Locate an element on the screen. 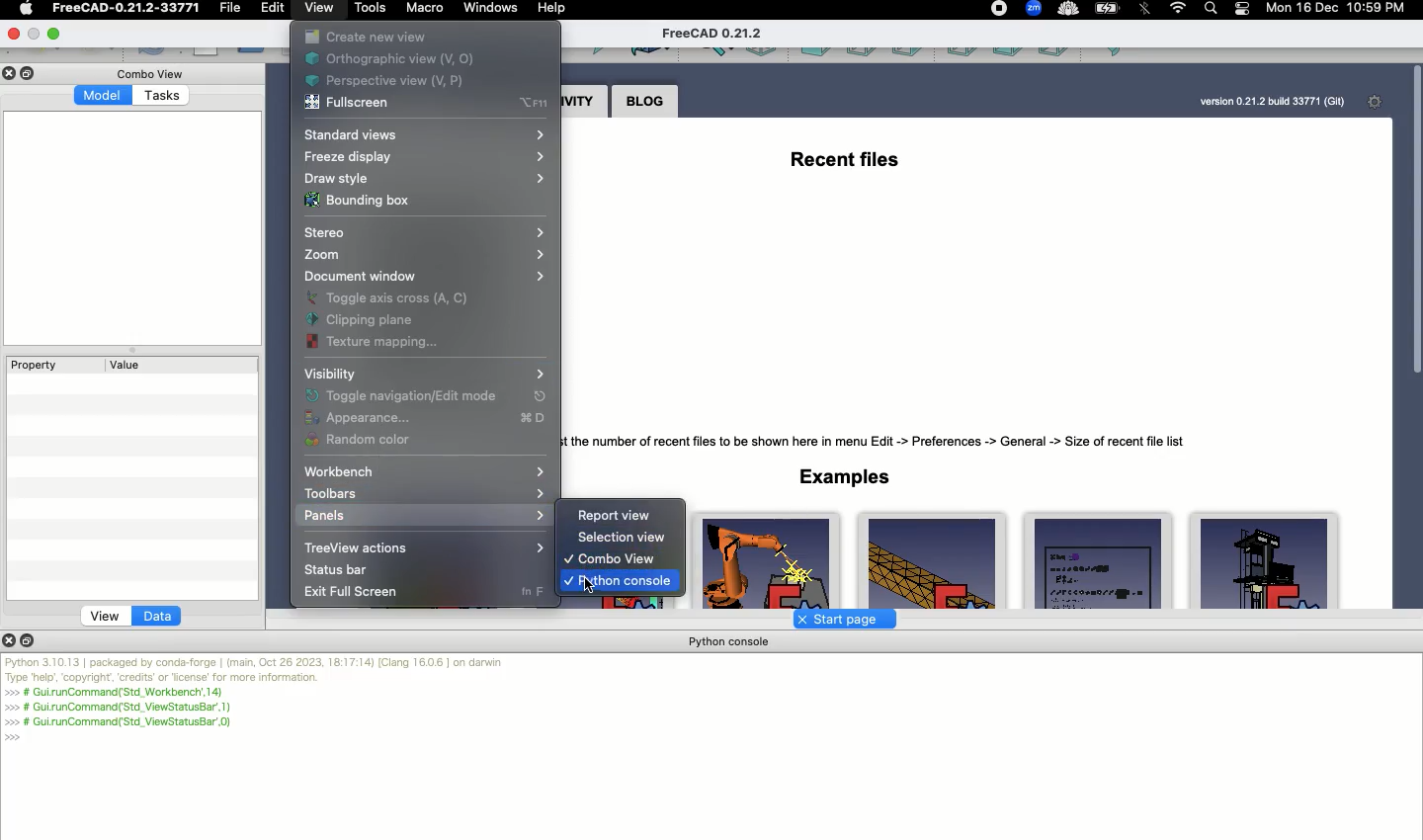 Image resolution: width=1423 pixels, height=840 pixels. Close is located at coordinates (17, 33).